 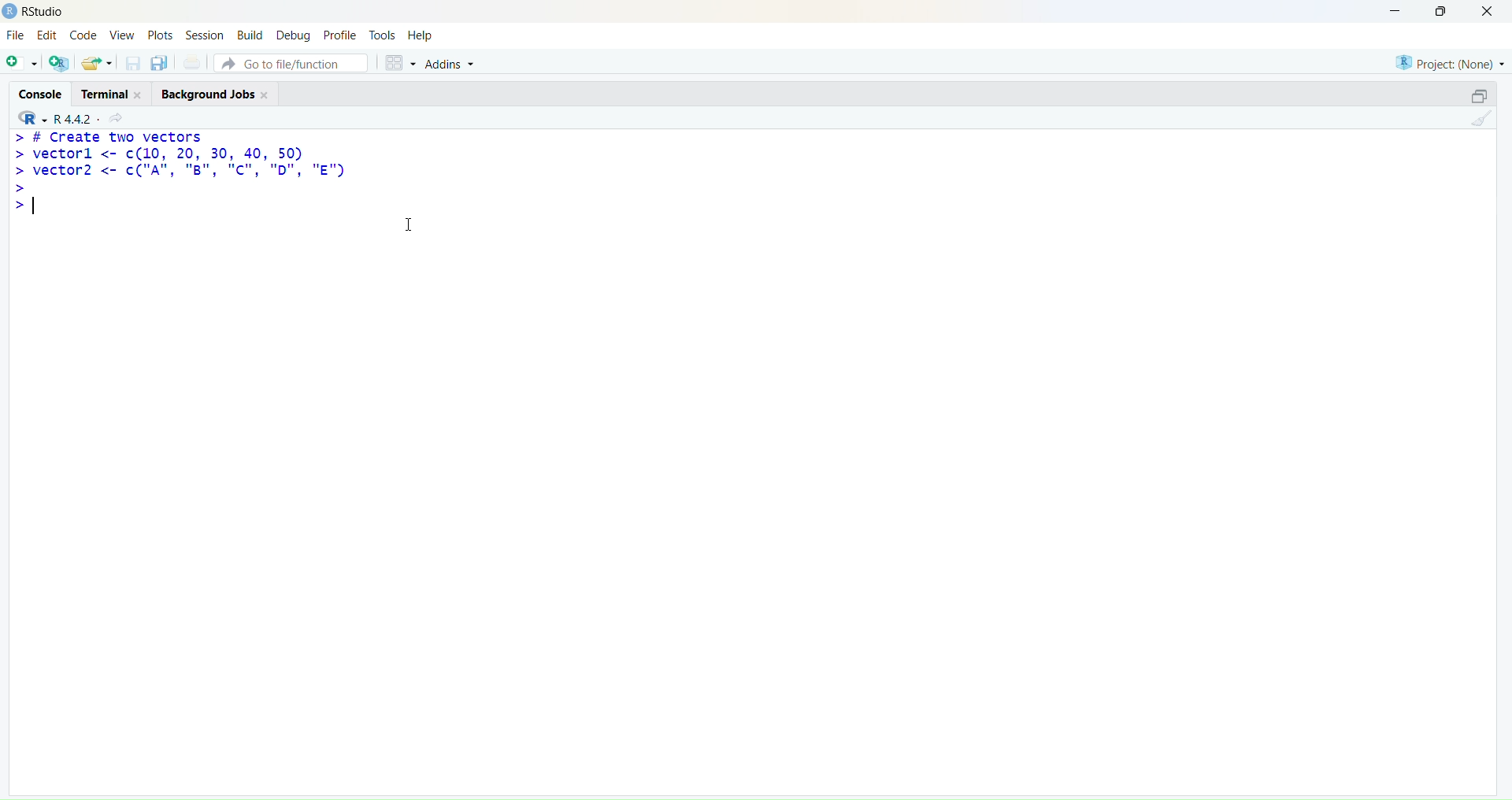 I want to click on RStudio, so click(x=43, y=12).